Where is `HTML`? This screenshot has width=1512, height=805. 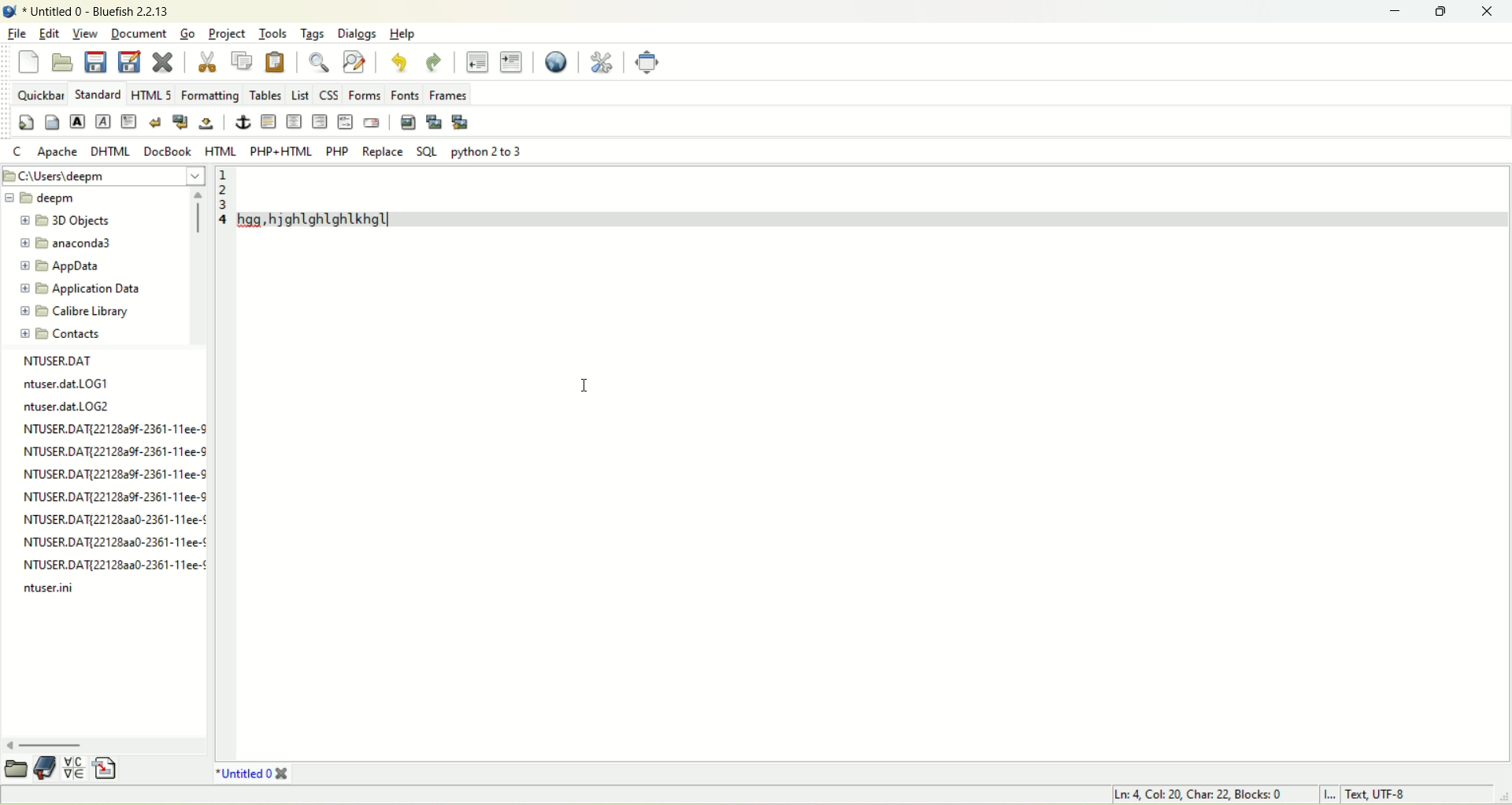
HTML is located at coordinates (221, 151).